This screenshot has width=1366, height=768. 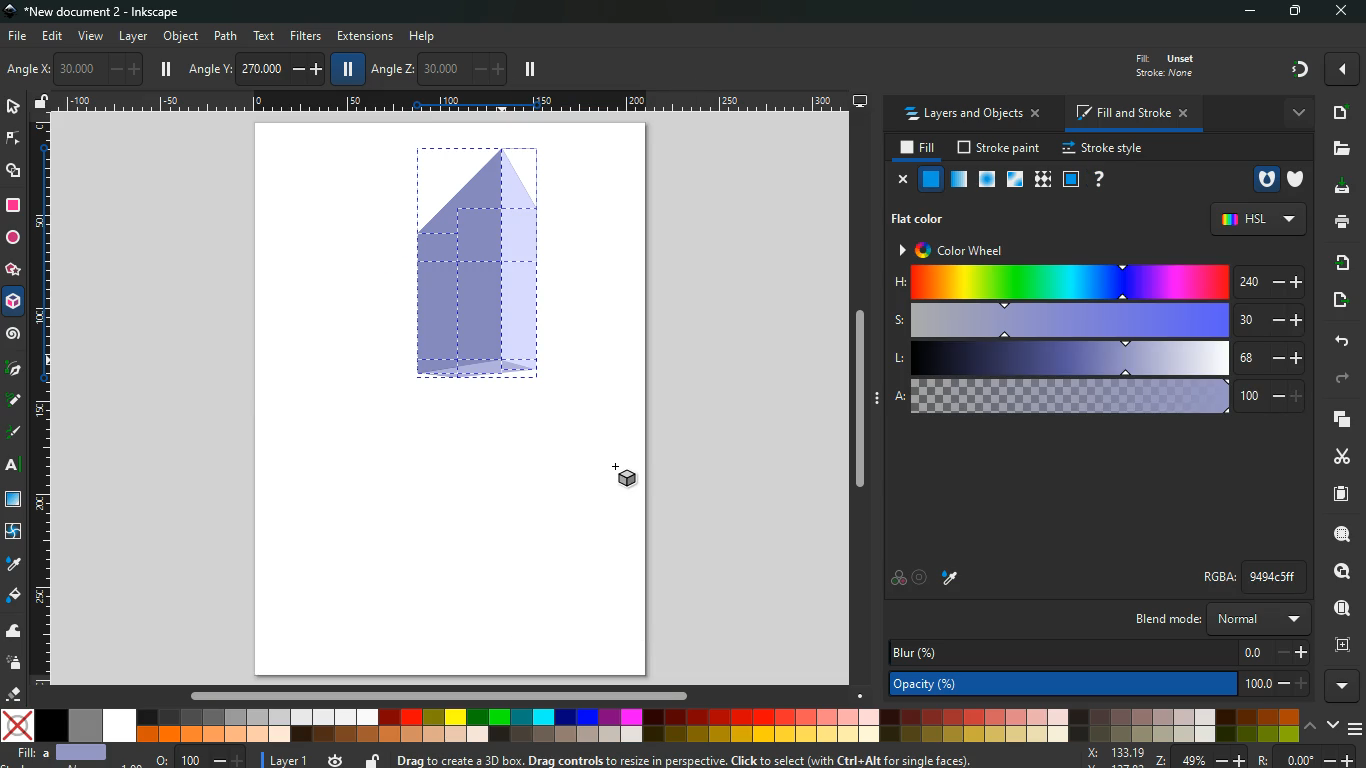 What do you see at coordinates (651, 725) in the screenshot?
I see `color` at bounding box center [651, 725].